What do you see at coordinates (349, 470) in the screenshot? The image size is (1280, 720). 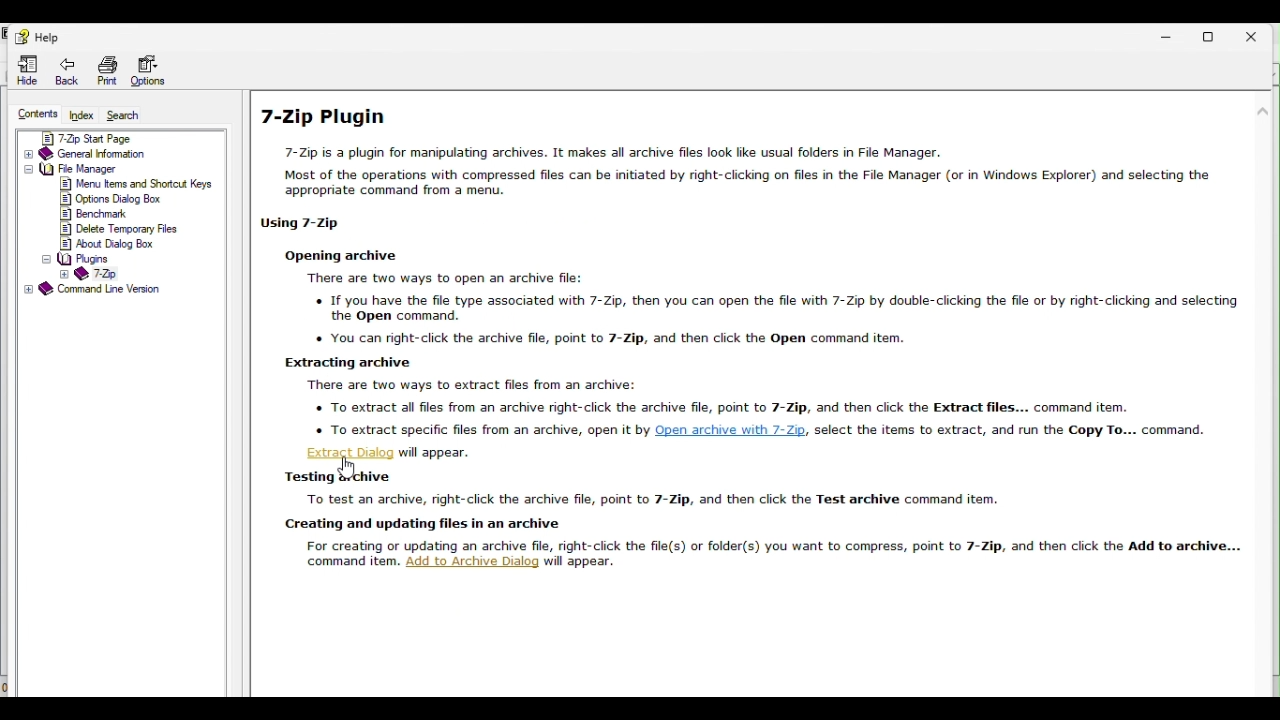 I see `Cursor` at bounding box center [349, 470].